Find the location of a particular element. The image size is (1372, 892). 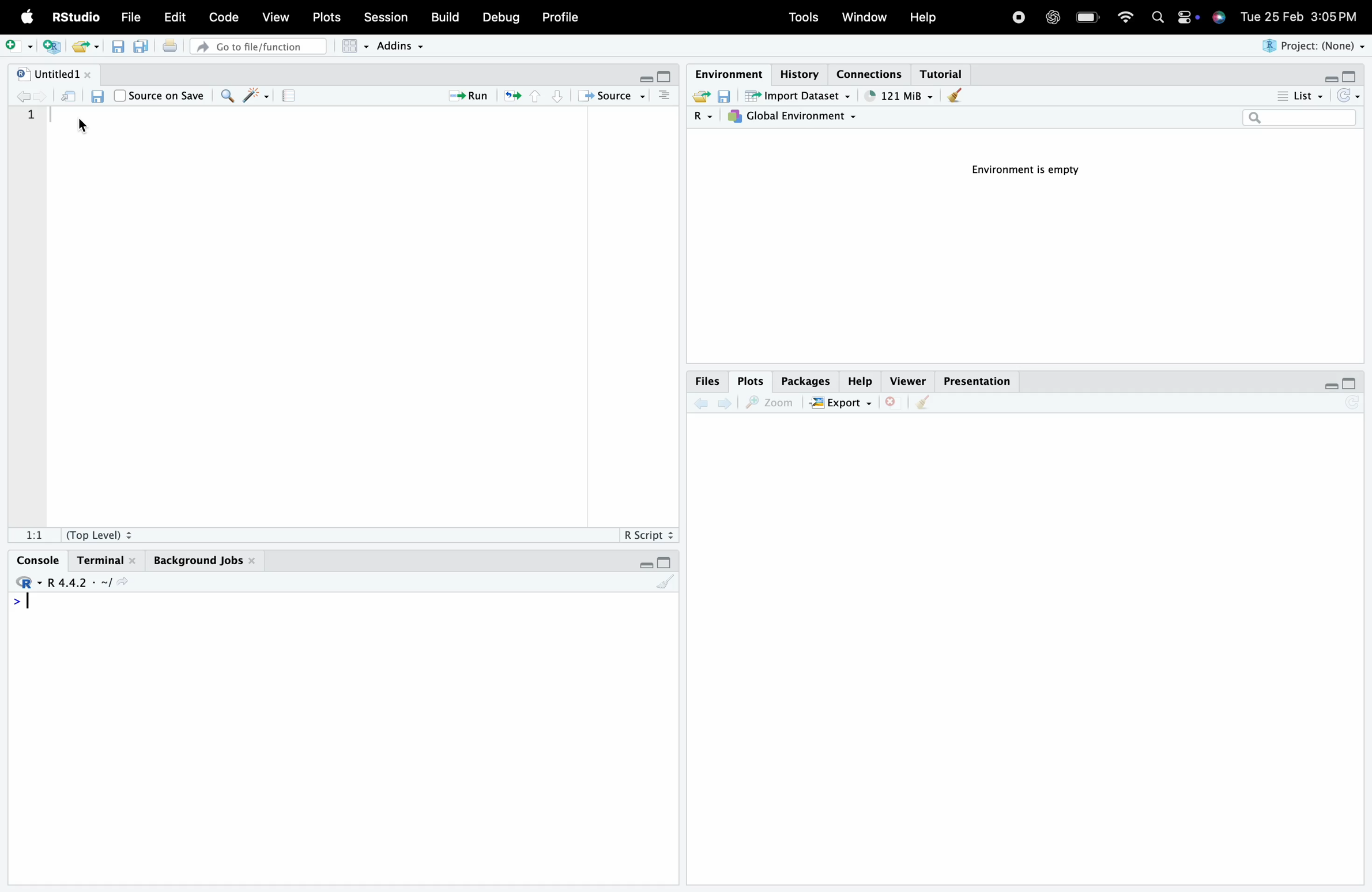

R is located at coordinates (705, 117).